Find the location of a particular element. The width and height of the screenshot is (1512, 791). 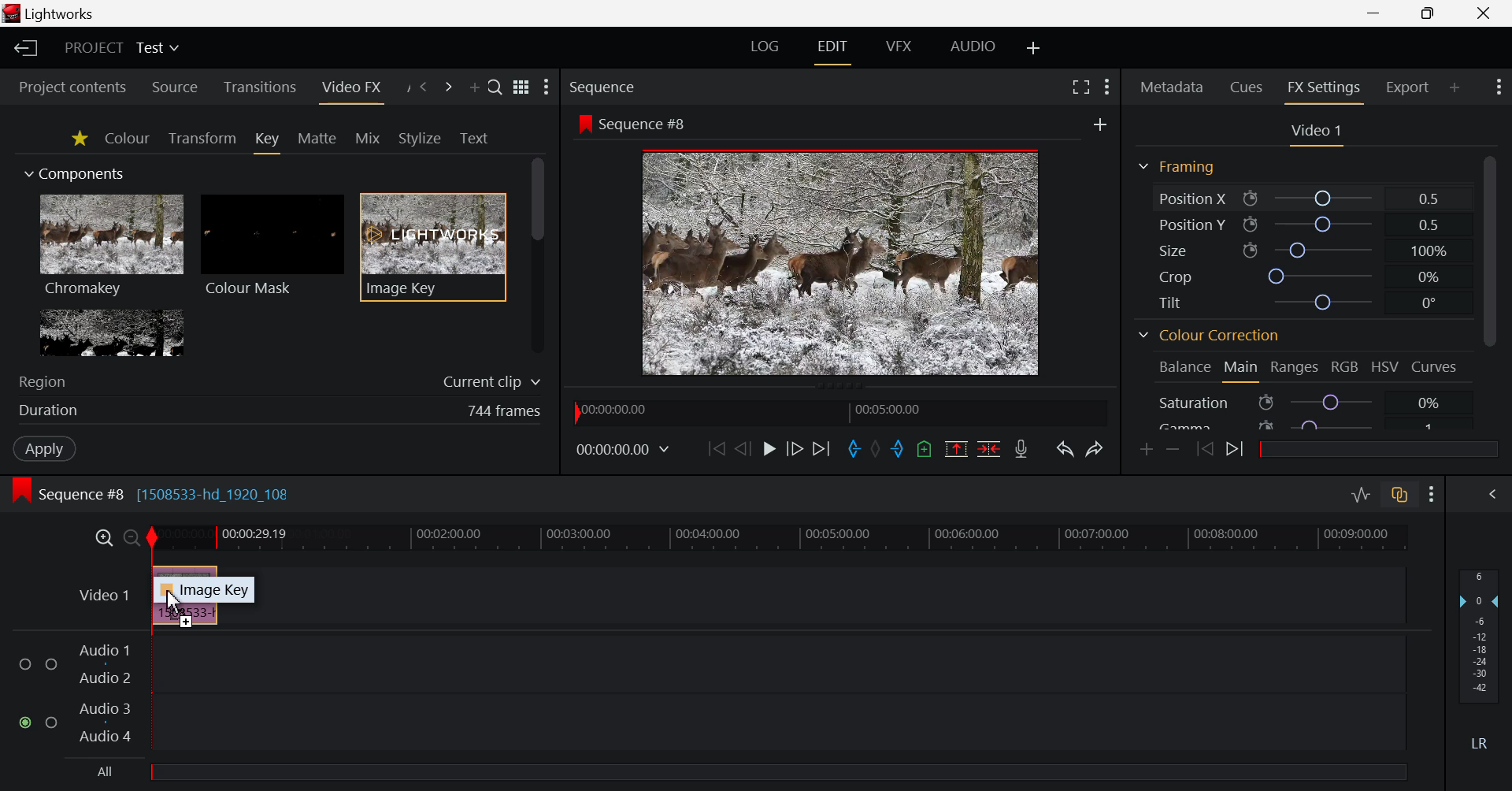

Colour is located at coordinates (128, 139).